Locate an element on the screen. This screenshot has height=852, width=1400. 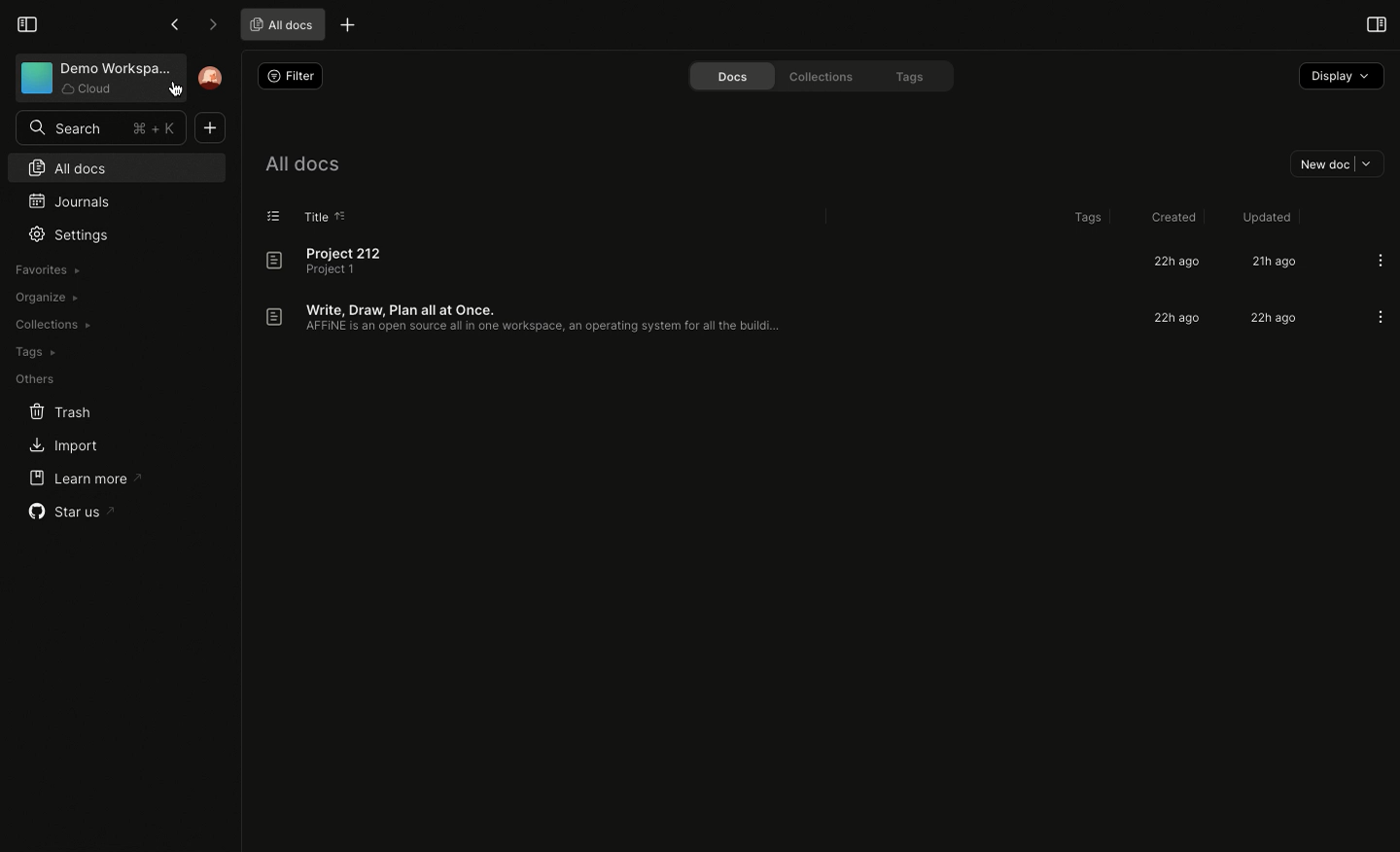
Filter is located at coordinates (290, 76).